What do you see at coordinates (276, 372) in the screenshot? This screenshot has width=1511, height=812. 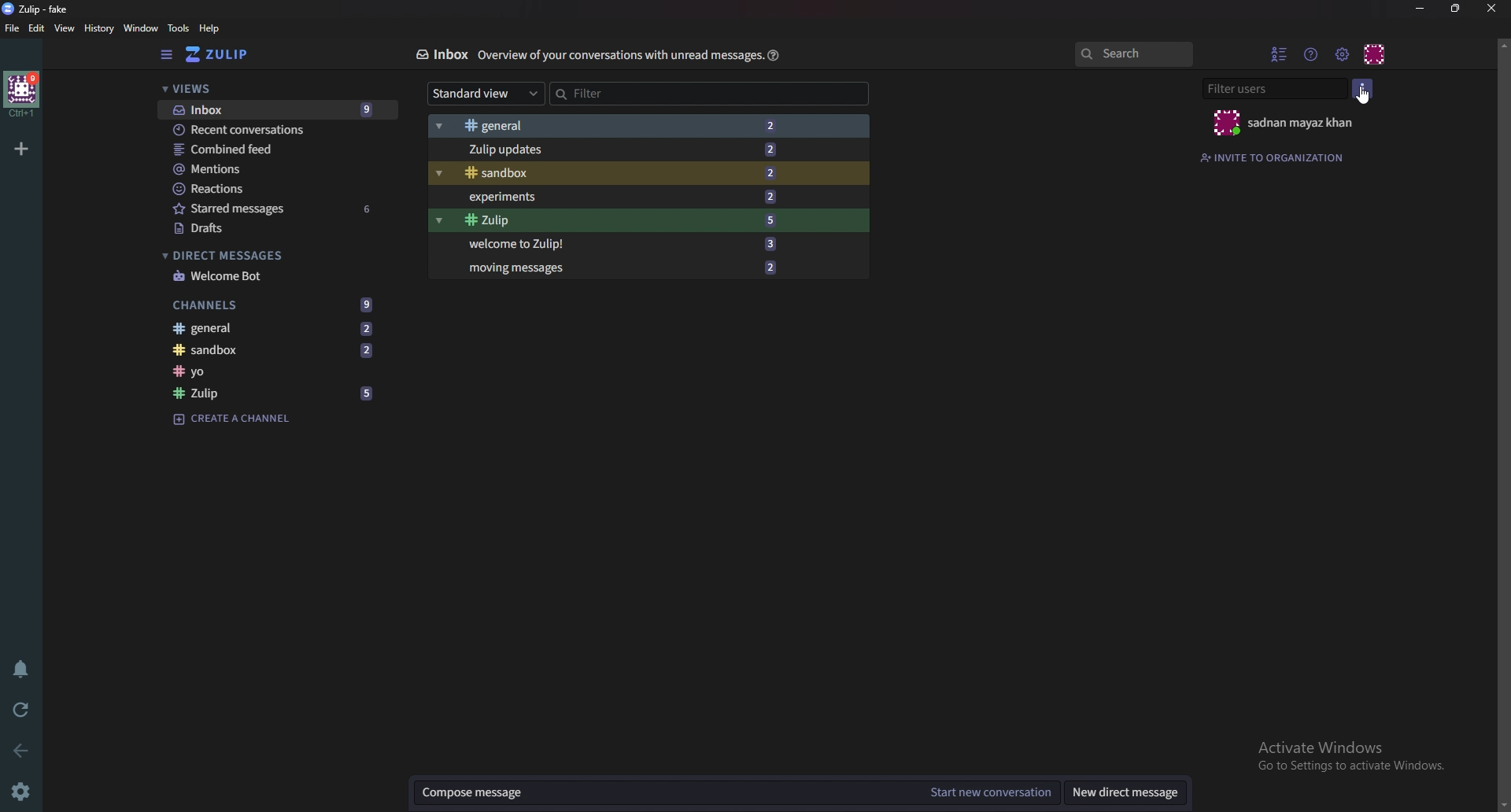 I see `channel` at bounding box center [276, 372].